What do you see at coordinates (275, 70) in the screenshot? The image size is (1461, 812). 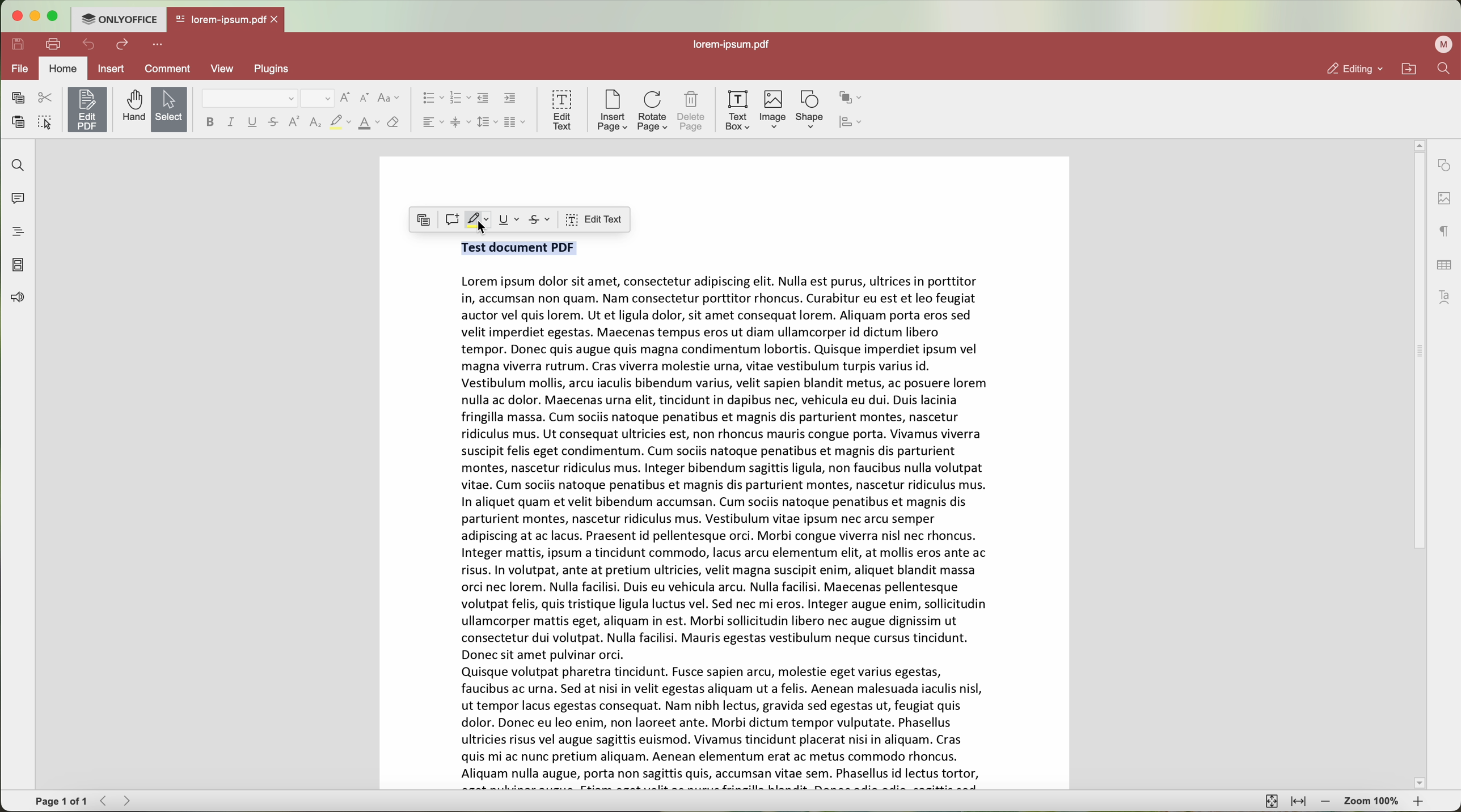 I see `plugins` at bounding box center [275, 70].